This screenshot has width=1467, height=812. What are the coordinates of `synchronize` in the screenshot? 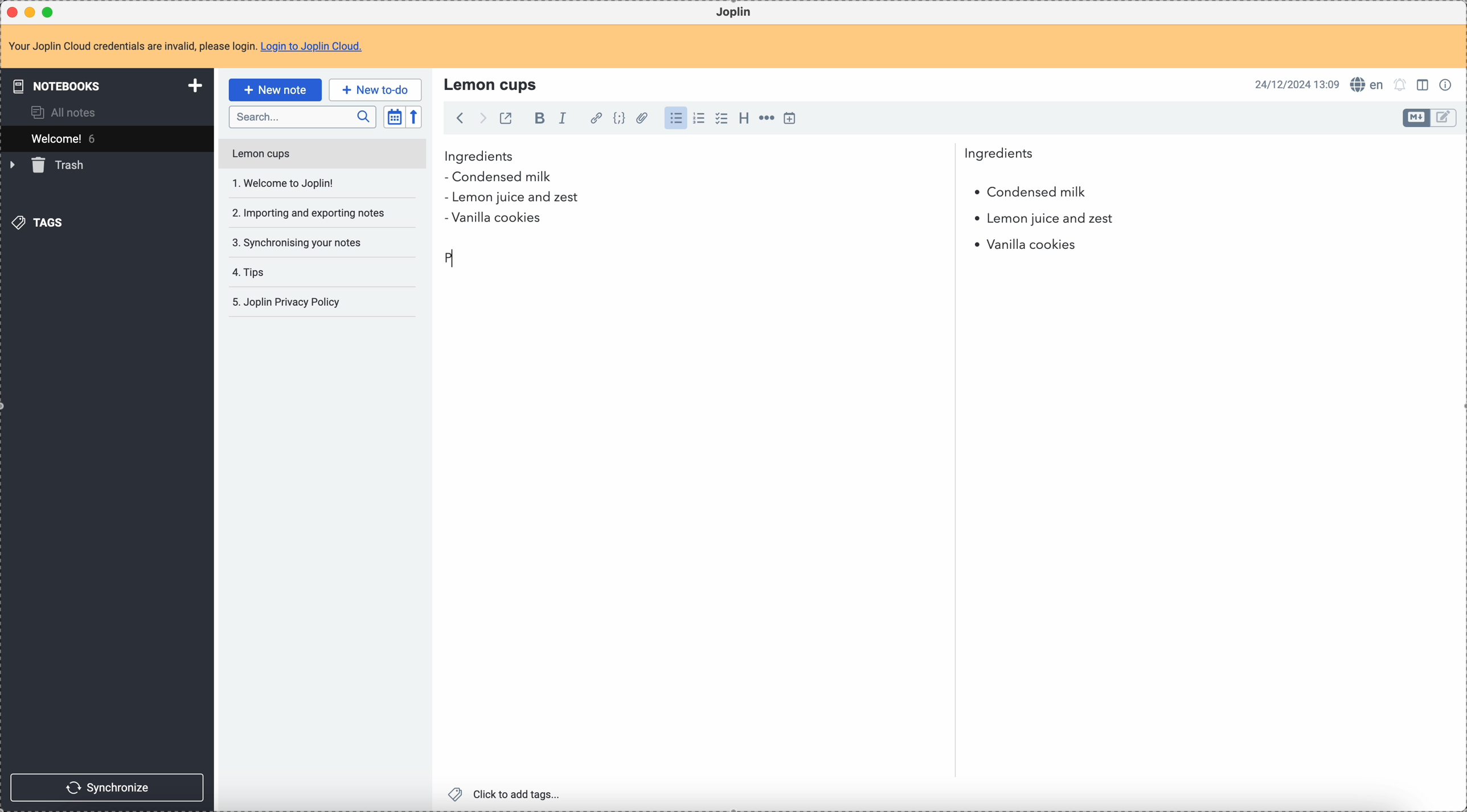 It's located at (108, 788).